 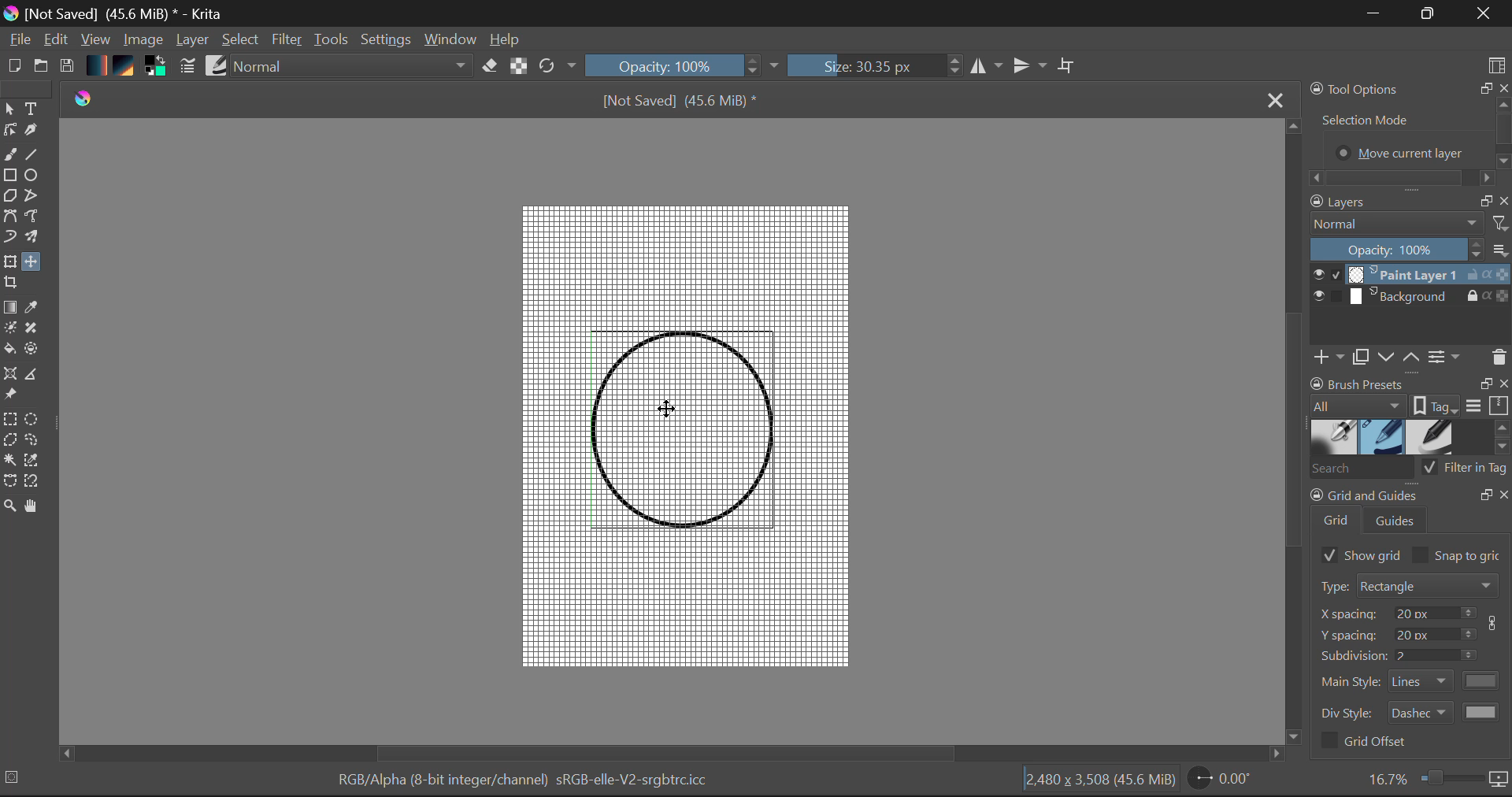 I want to click on Open, so click(x=41, y=67).